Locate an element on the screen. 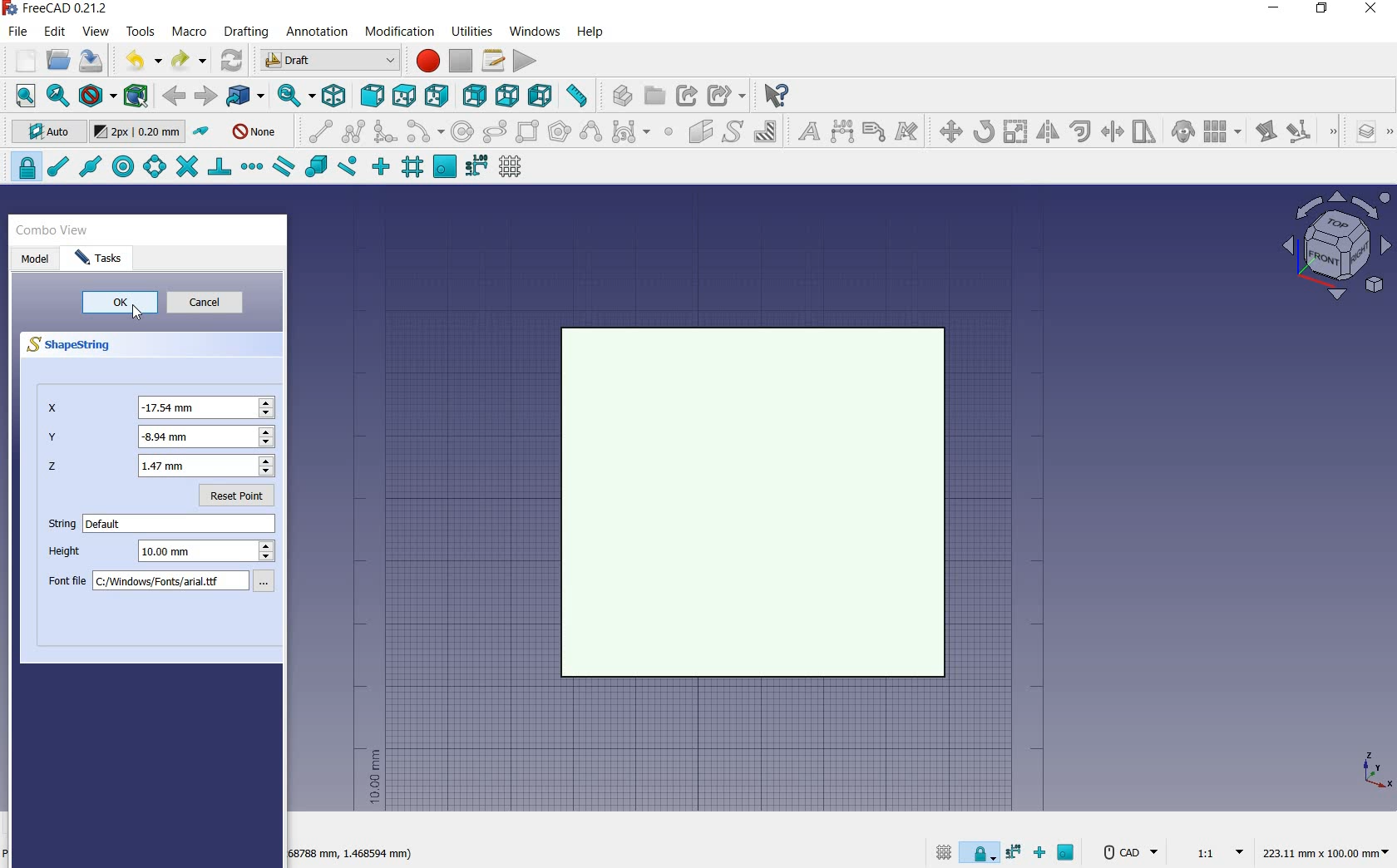 The height and width of the screenshot is (868, 1397). toggle construction mode is located at coordinates (203, 132).